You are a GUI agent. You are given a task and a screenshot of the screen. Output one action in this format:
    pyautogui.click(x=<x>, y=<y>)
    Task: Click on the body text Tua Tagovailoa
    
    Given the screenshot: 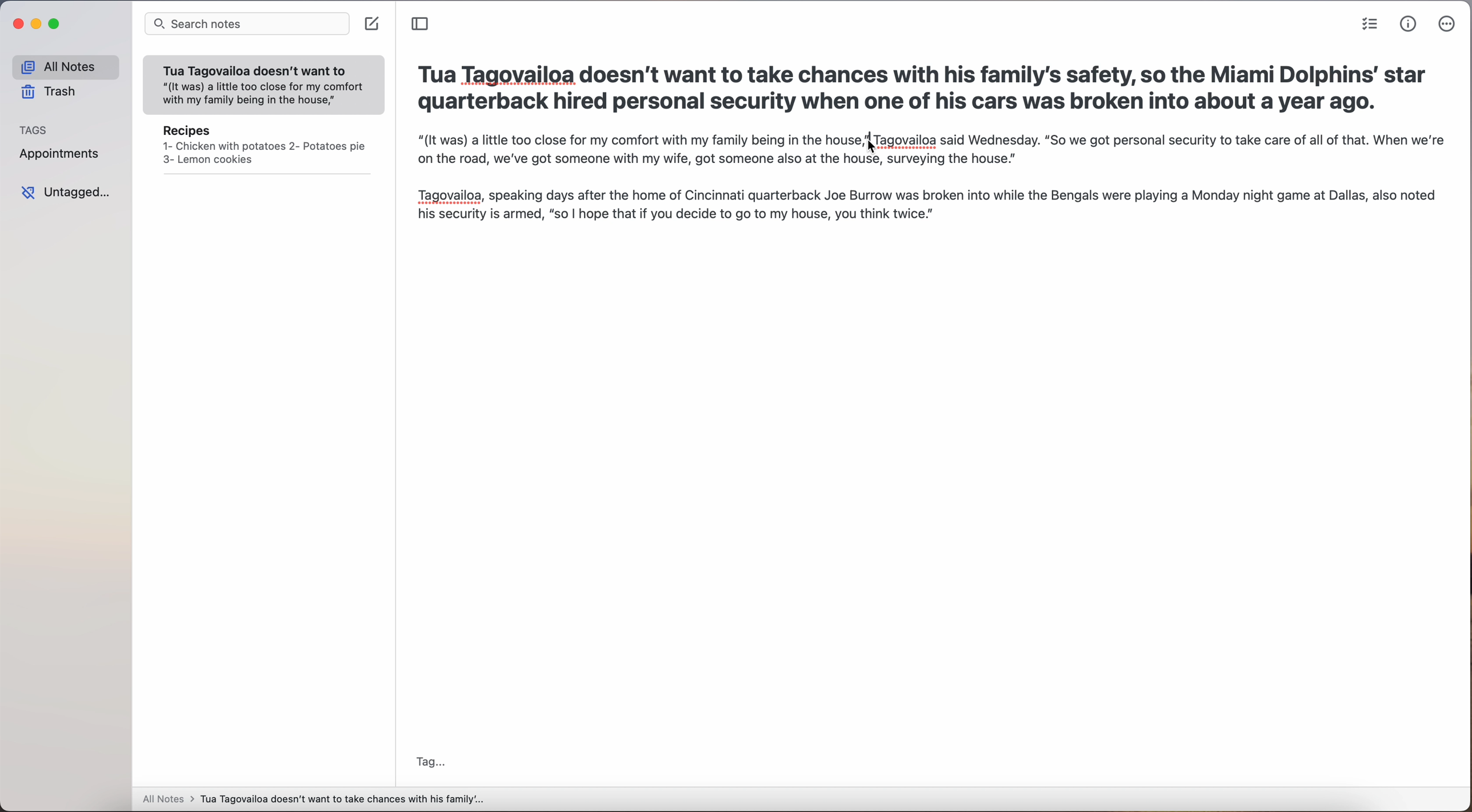 What is the action you would take?
    pyautogui.click(x=1169, y=139)
    